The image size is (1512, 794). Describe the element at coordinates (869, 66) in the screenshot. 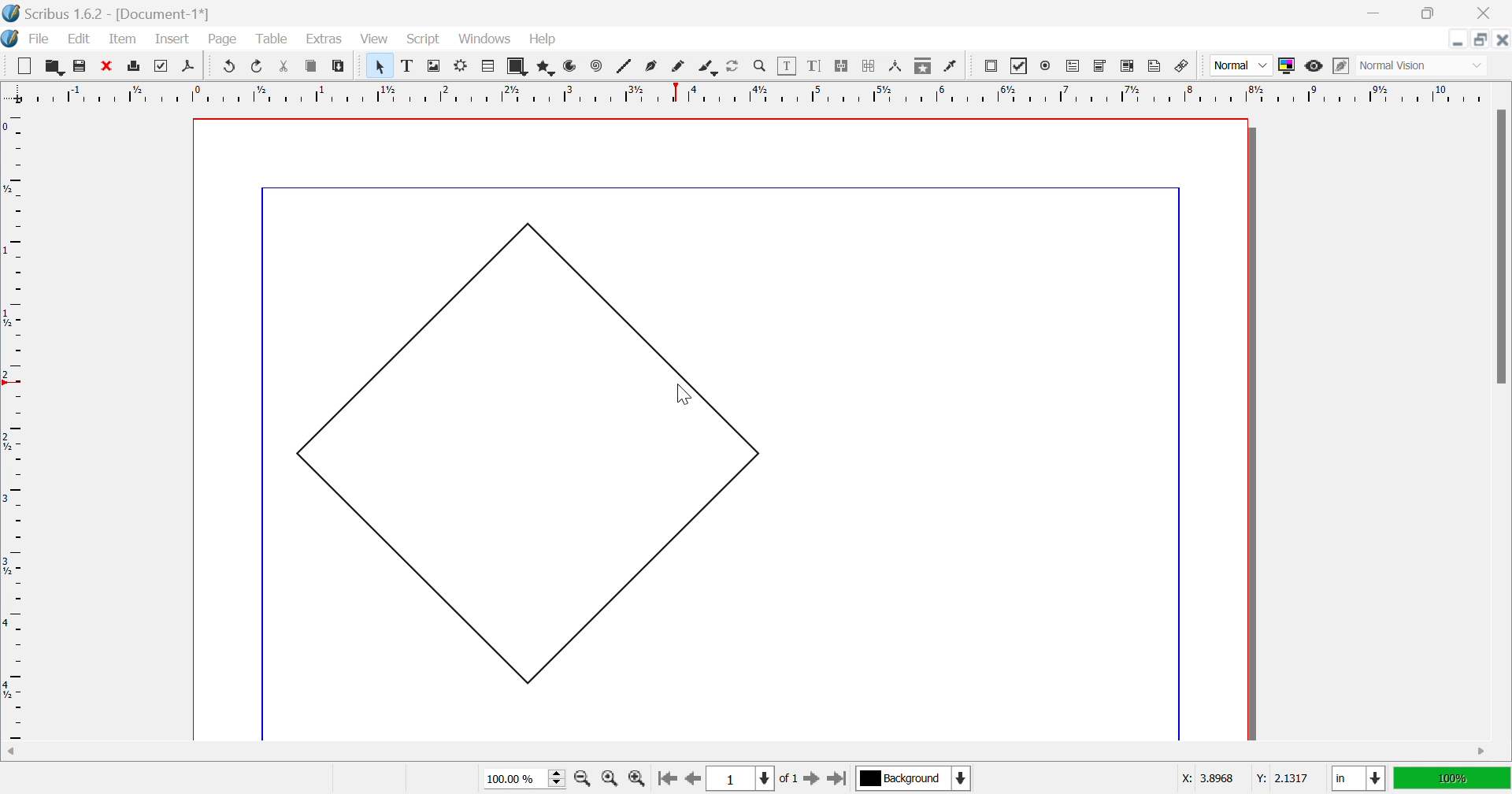

I see `Unlink text frames` at that location.